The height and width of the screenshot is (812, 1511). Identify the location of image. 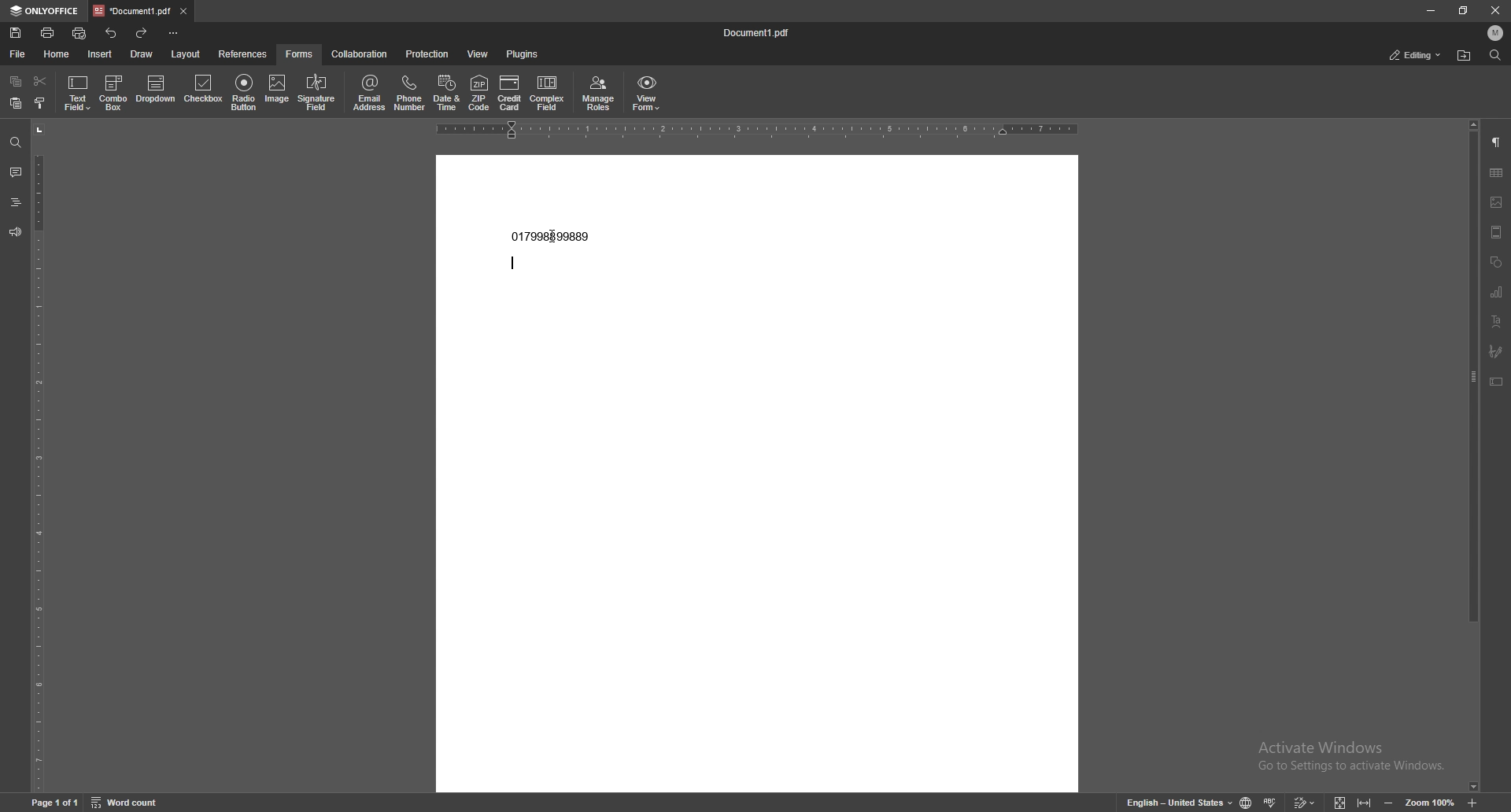
(278, 91).